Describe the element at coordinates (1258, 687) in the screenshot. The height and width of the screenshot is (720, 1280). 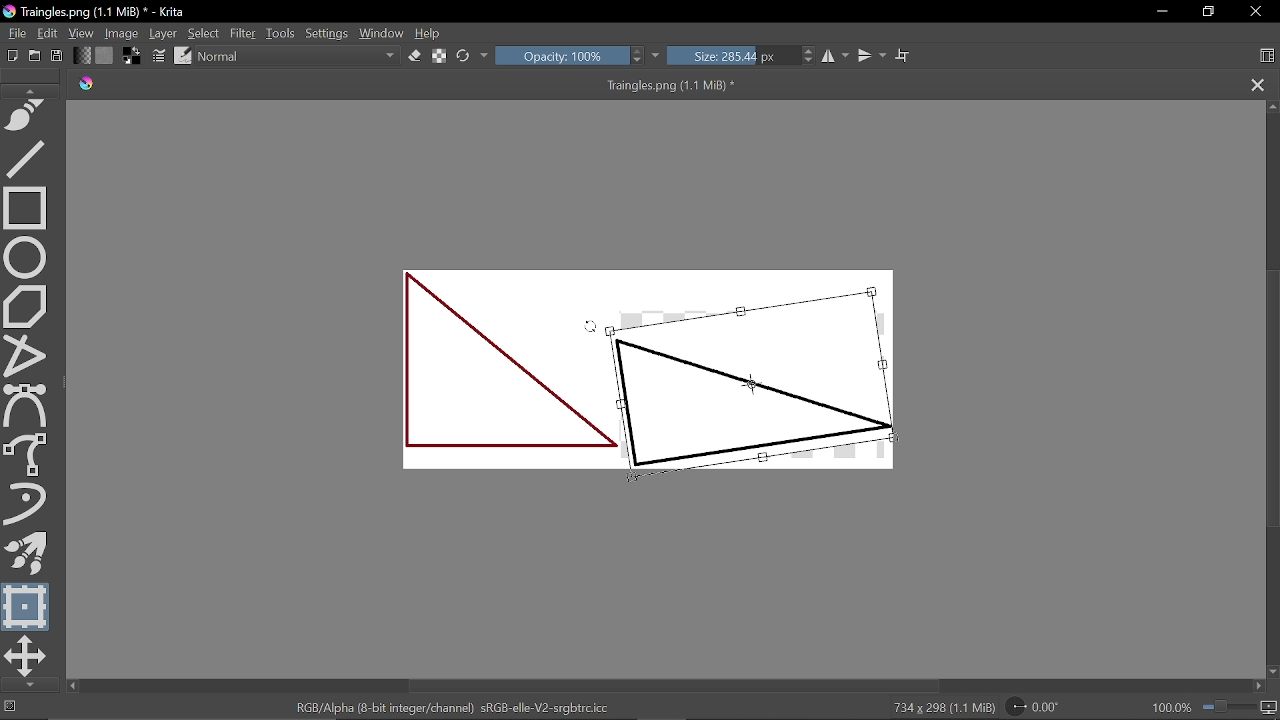
I see `Move right` at that location.